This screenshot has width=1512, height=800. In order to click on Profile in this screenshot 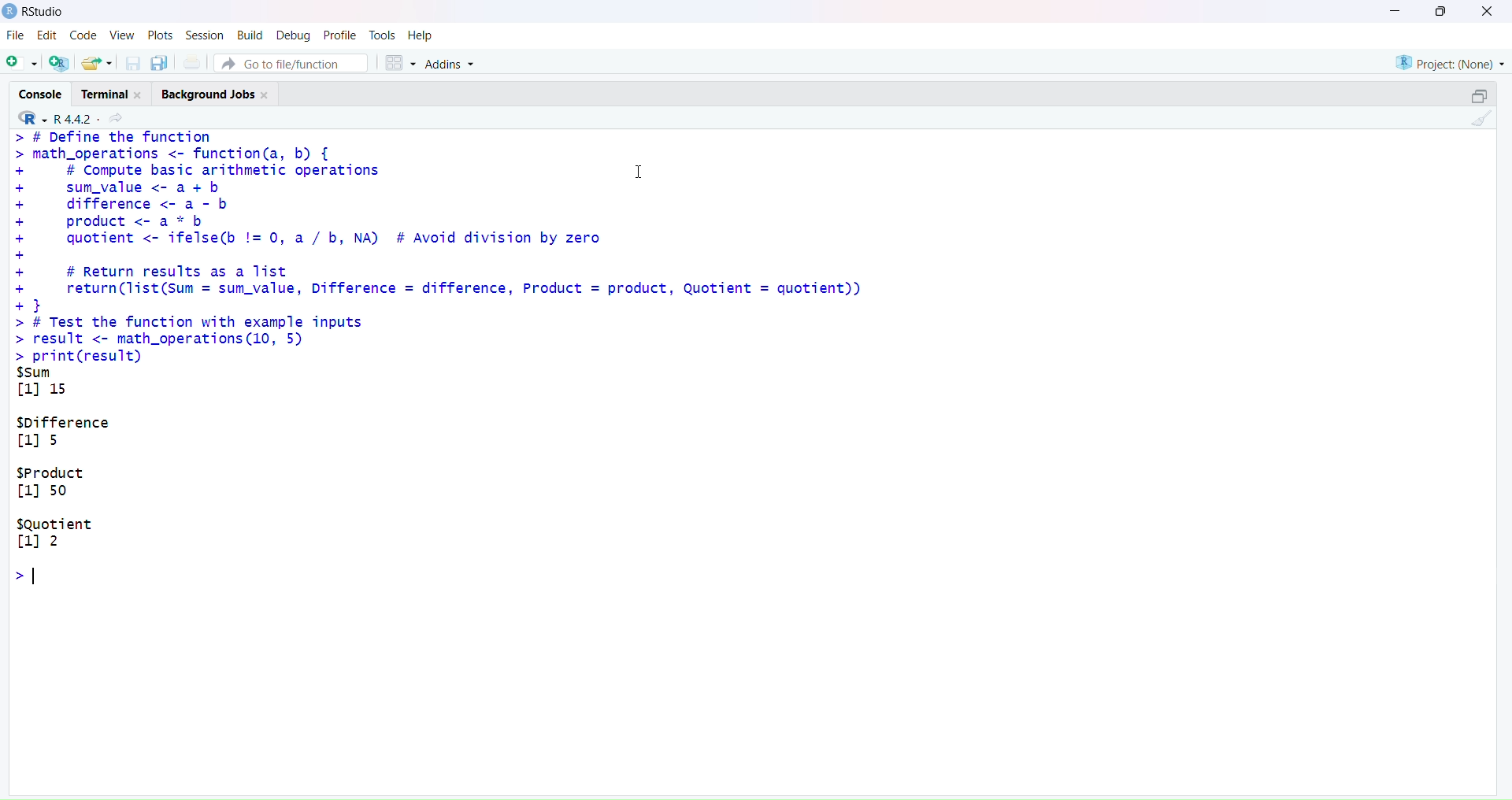, I will do `click(339, 33)`.